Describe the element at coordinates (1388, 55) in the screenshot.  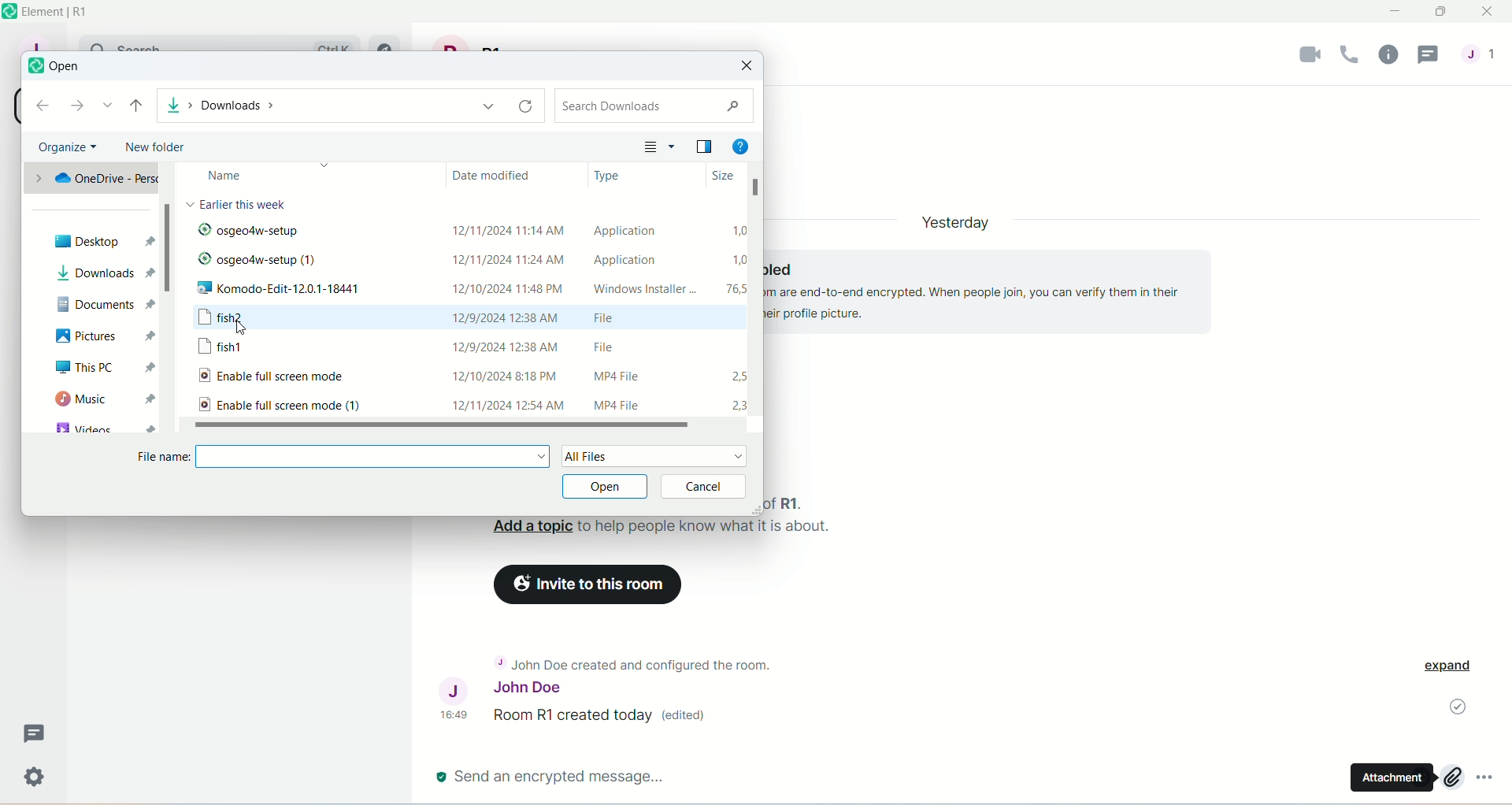
I see `room info` at that location.